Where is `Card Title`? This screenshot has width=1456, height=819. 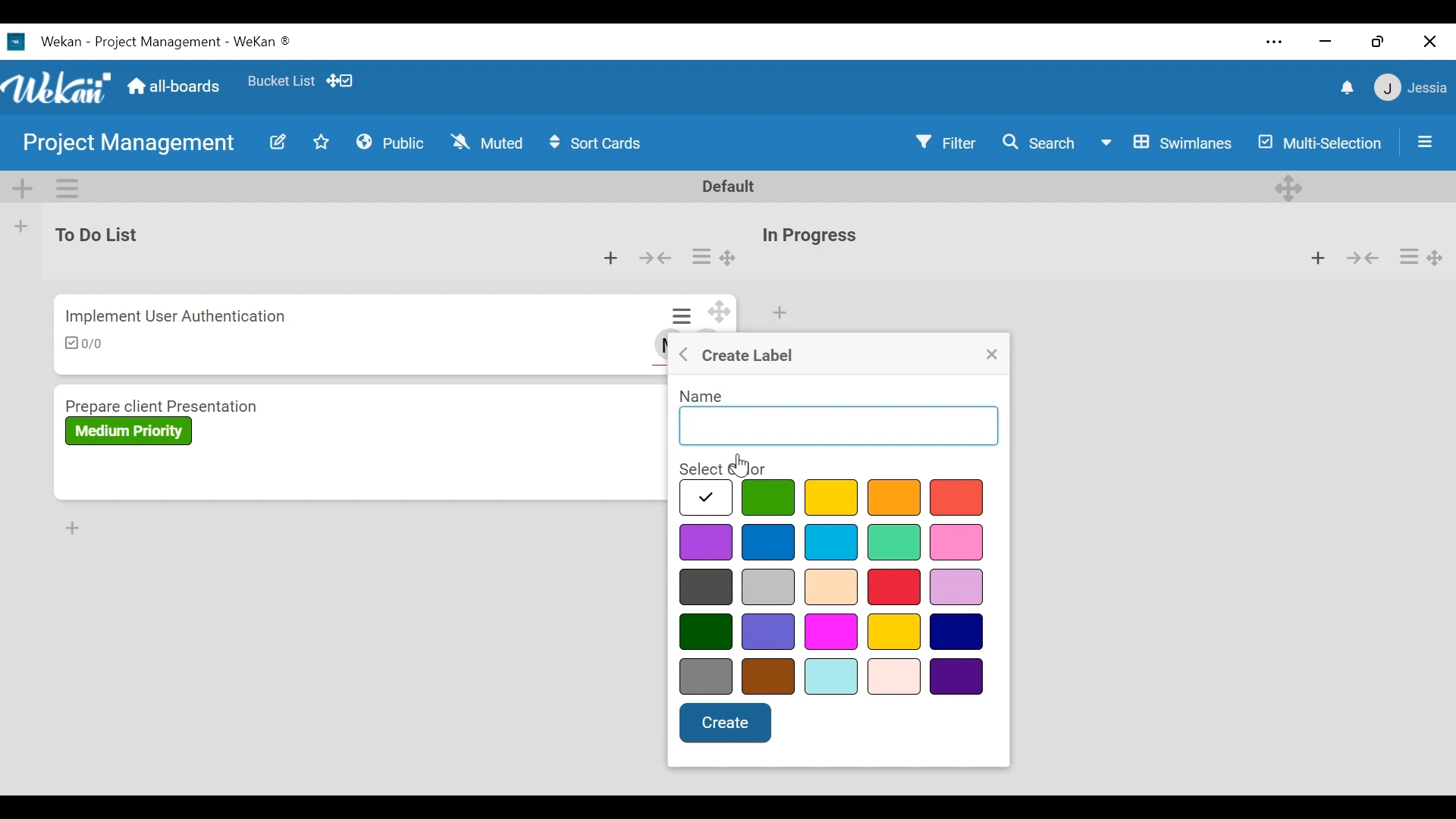 Card Title is located at coordinates (177, 315).